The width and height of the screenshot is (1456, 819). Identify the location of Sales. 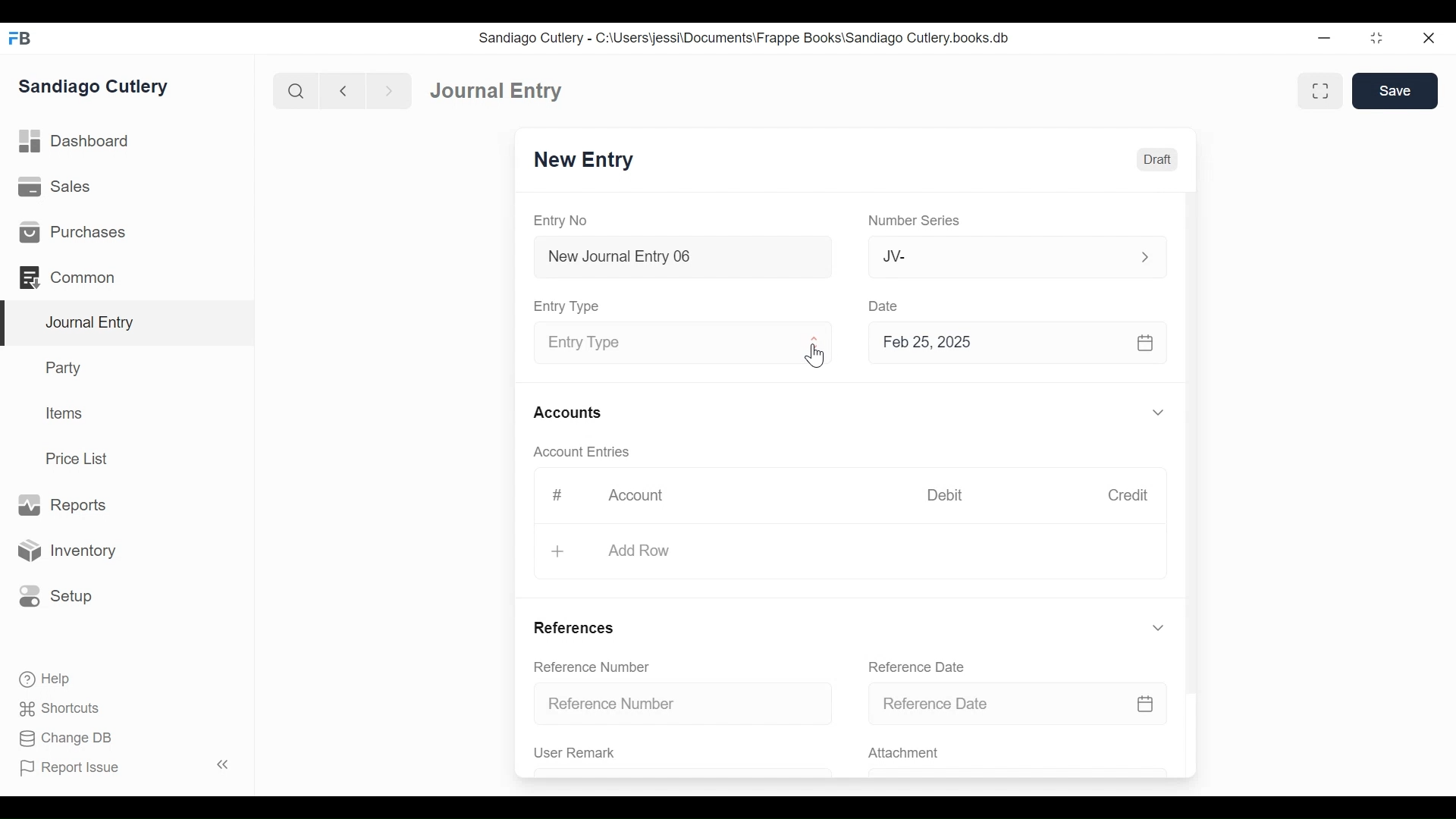
(60, 187).